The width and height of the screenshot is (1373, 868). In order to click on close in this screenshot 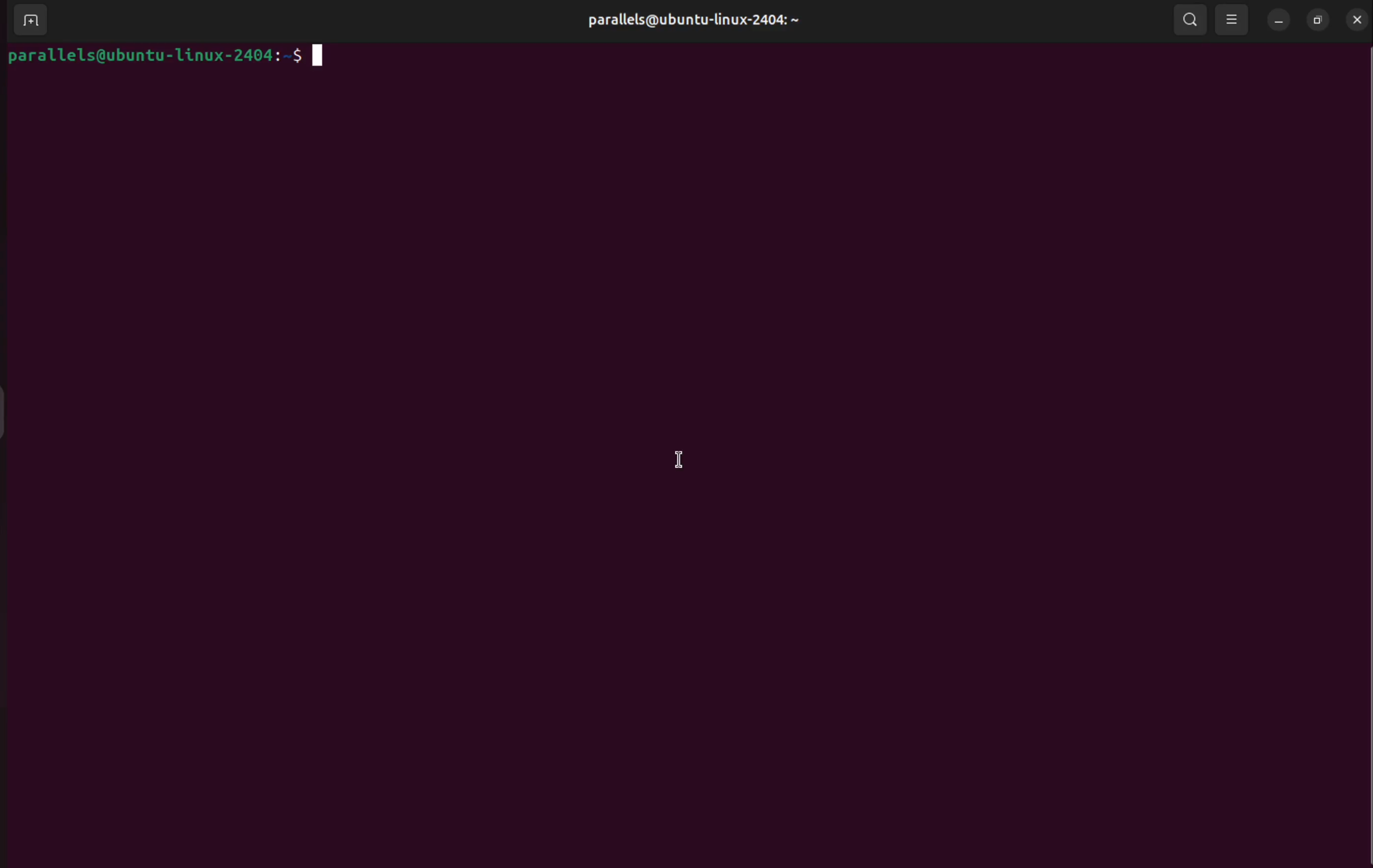, I will do `click(1358, 19)`.